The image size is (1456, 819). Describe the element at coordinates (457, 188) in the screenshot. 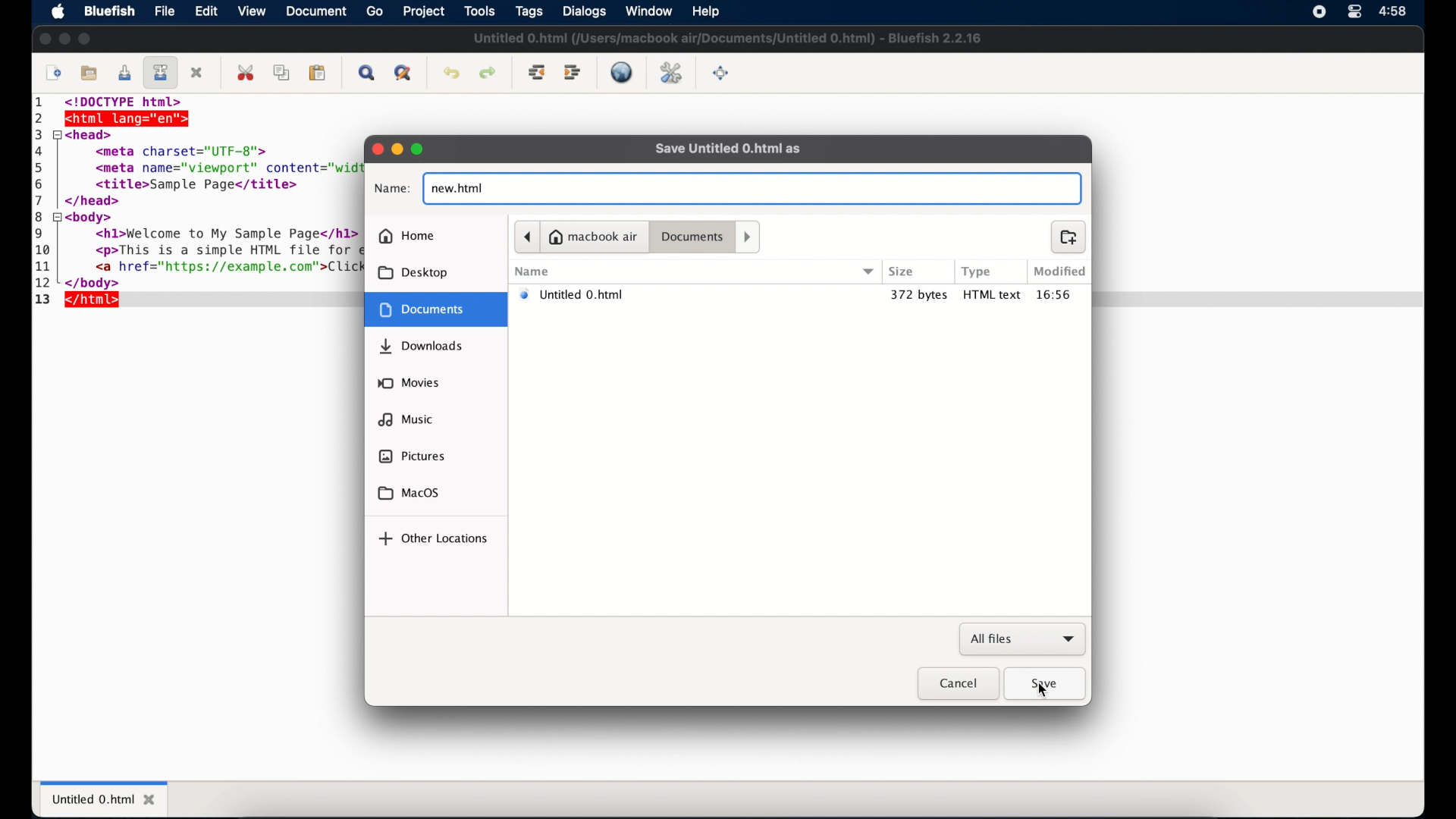

I see `new.html` at that location.